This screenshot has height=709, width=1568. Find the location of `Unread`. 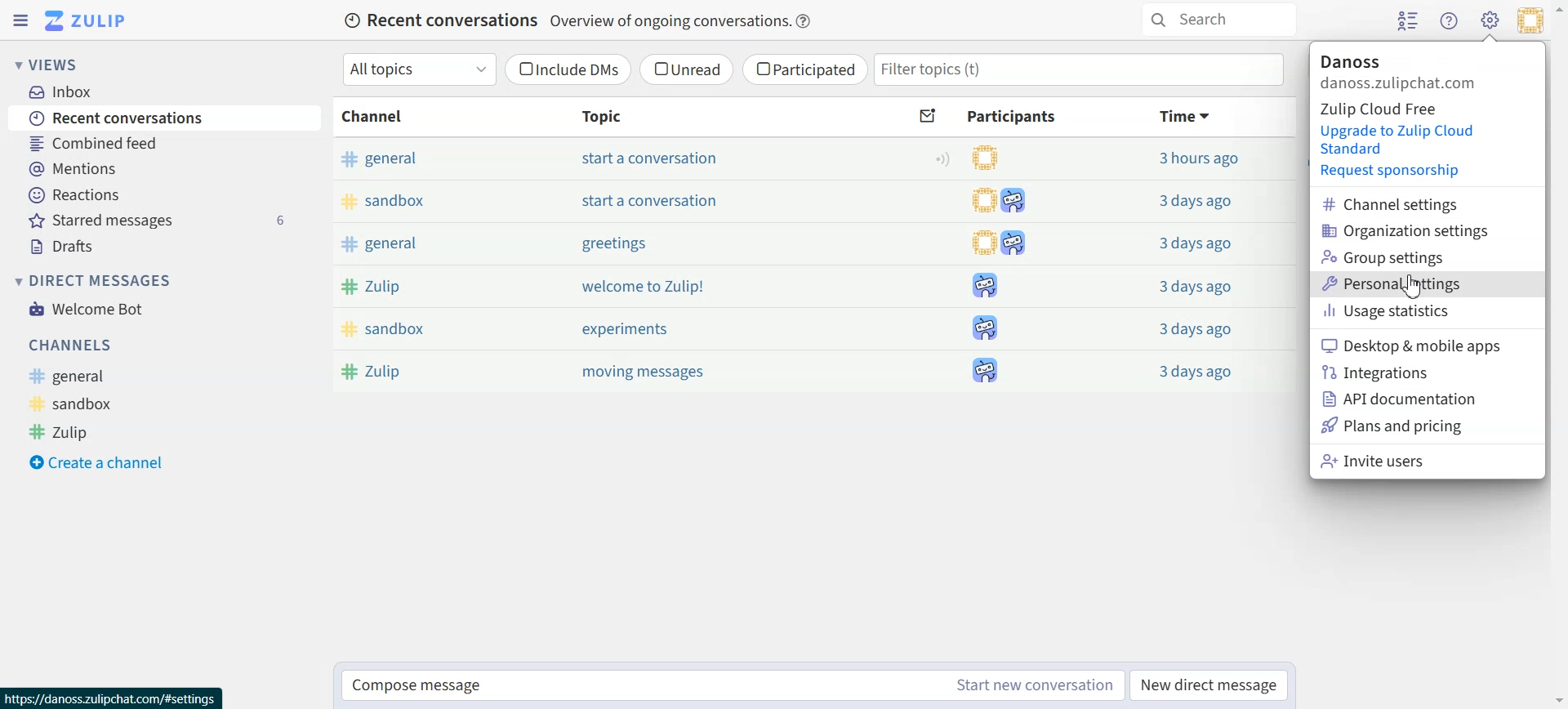

Unread is located at coordinates (687, 69).